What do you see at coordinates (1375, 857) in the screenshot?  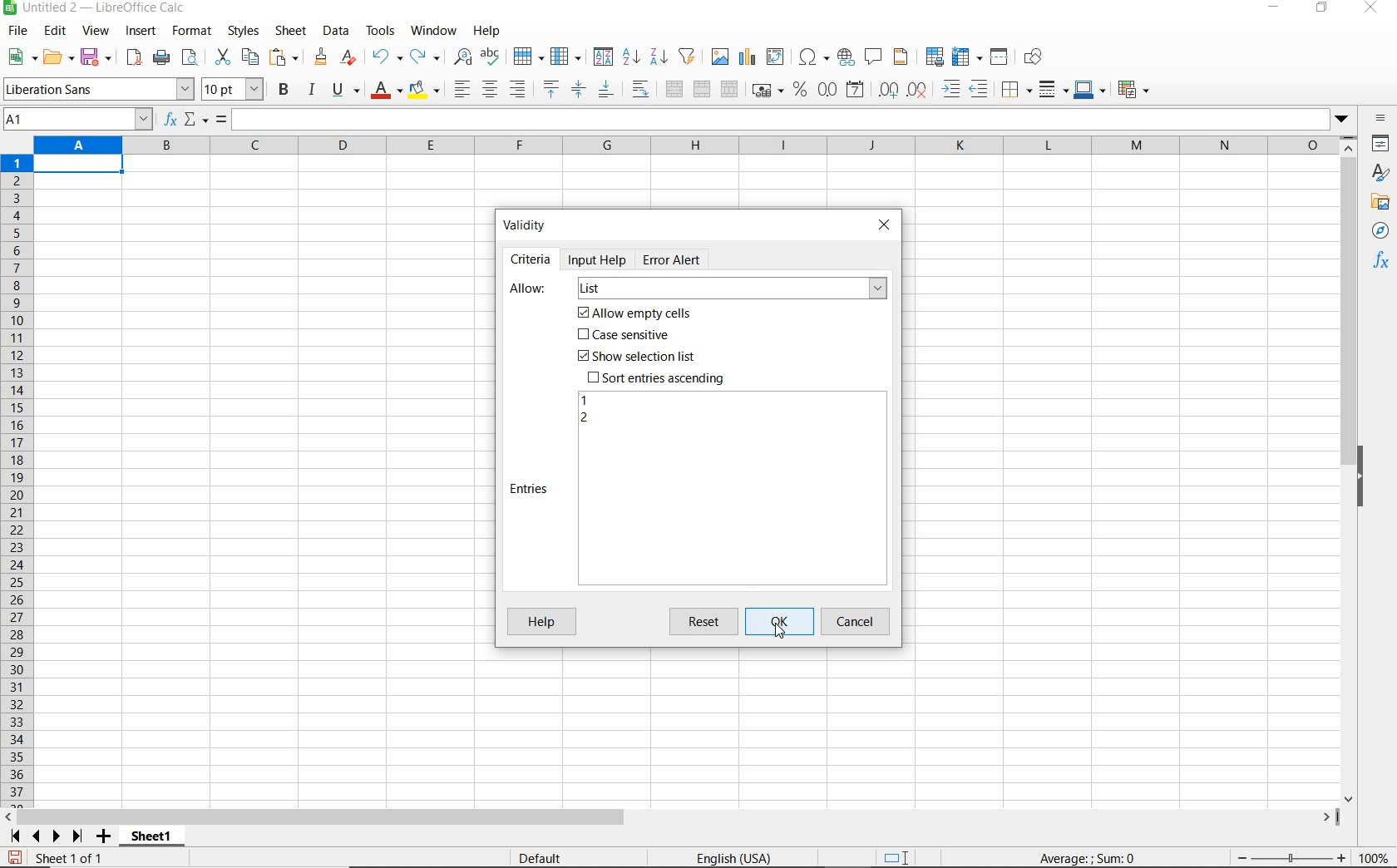 I see `zoom factor` at bounding box center [1375, 857].